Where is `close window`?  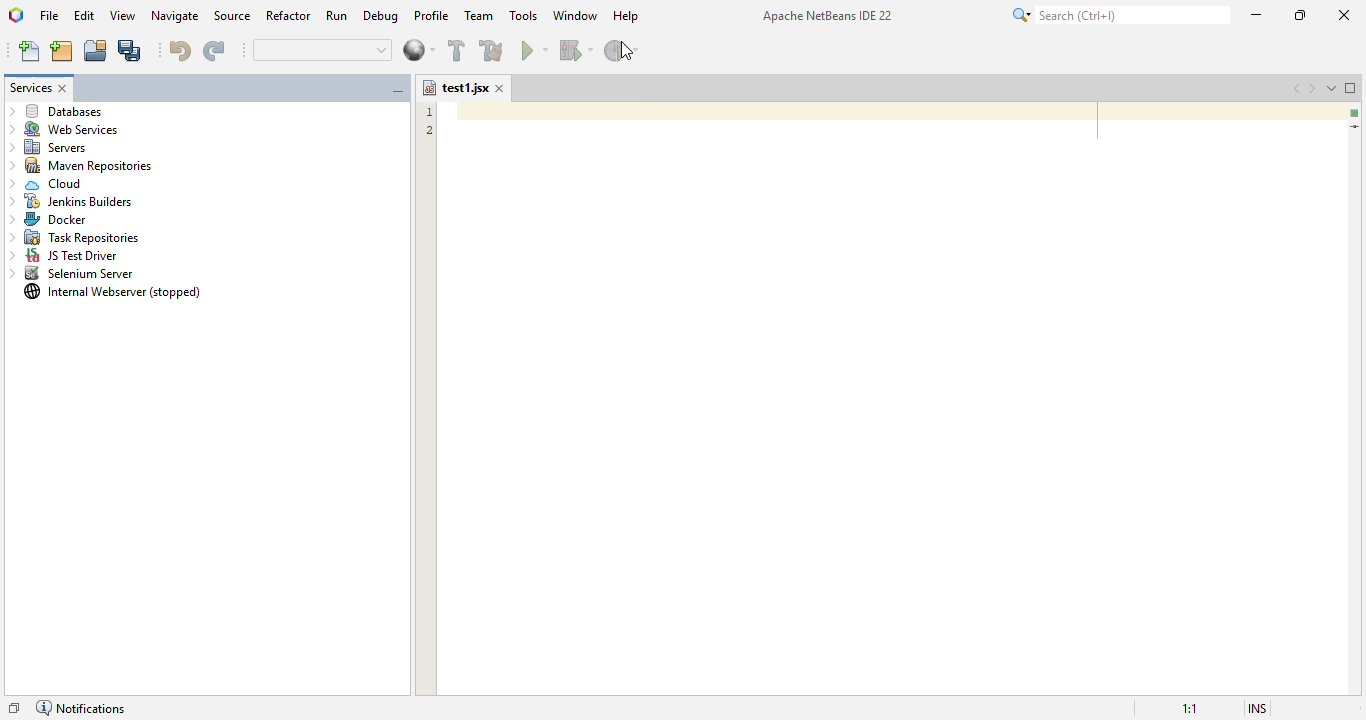
close window is located at coordinates (65, 88).